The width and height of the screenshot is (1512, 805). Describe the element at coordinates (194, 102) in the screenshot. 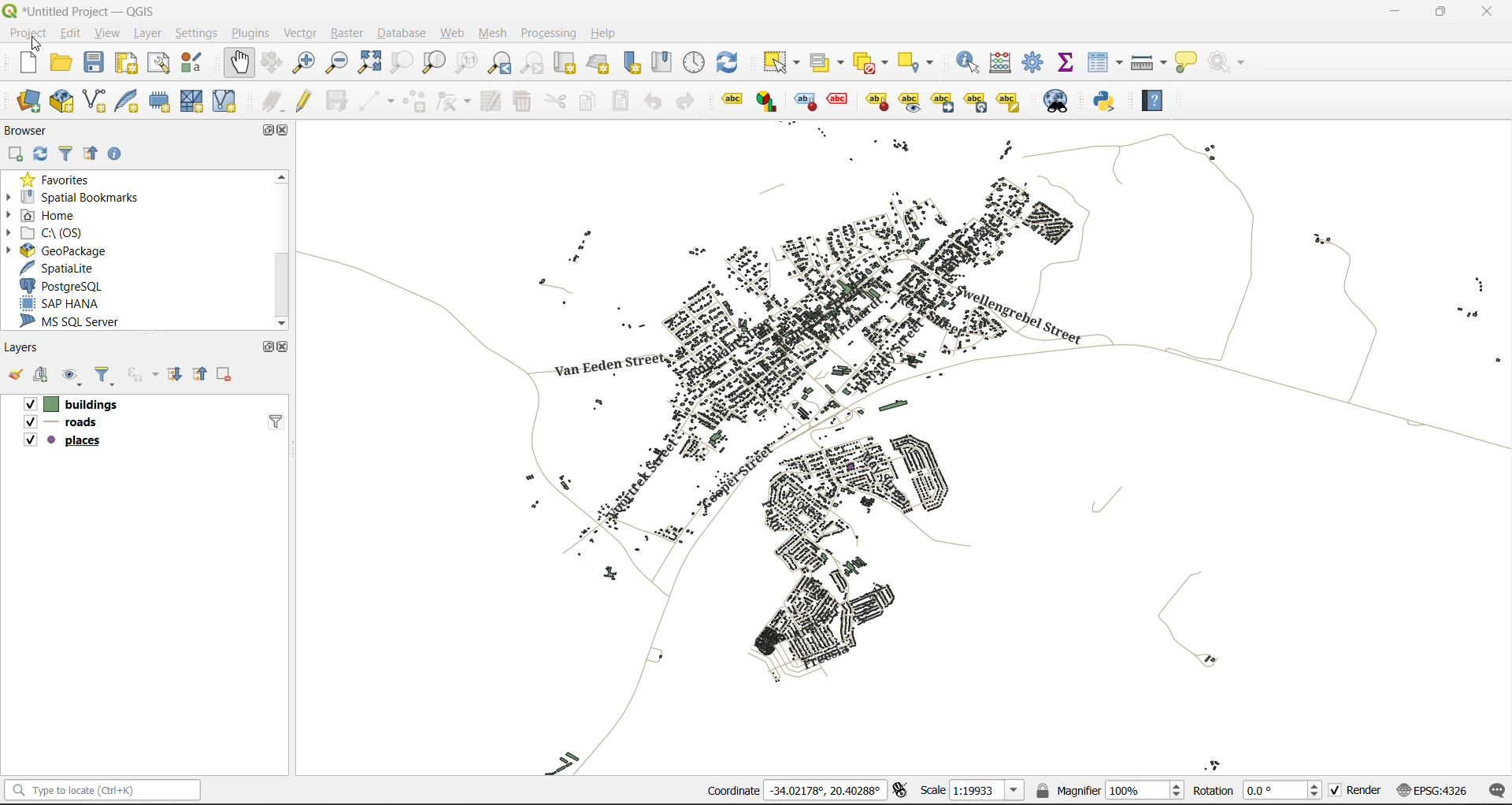

I see `new mesh` at that location.